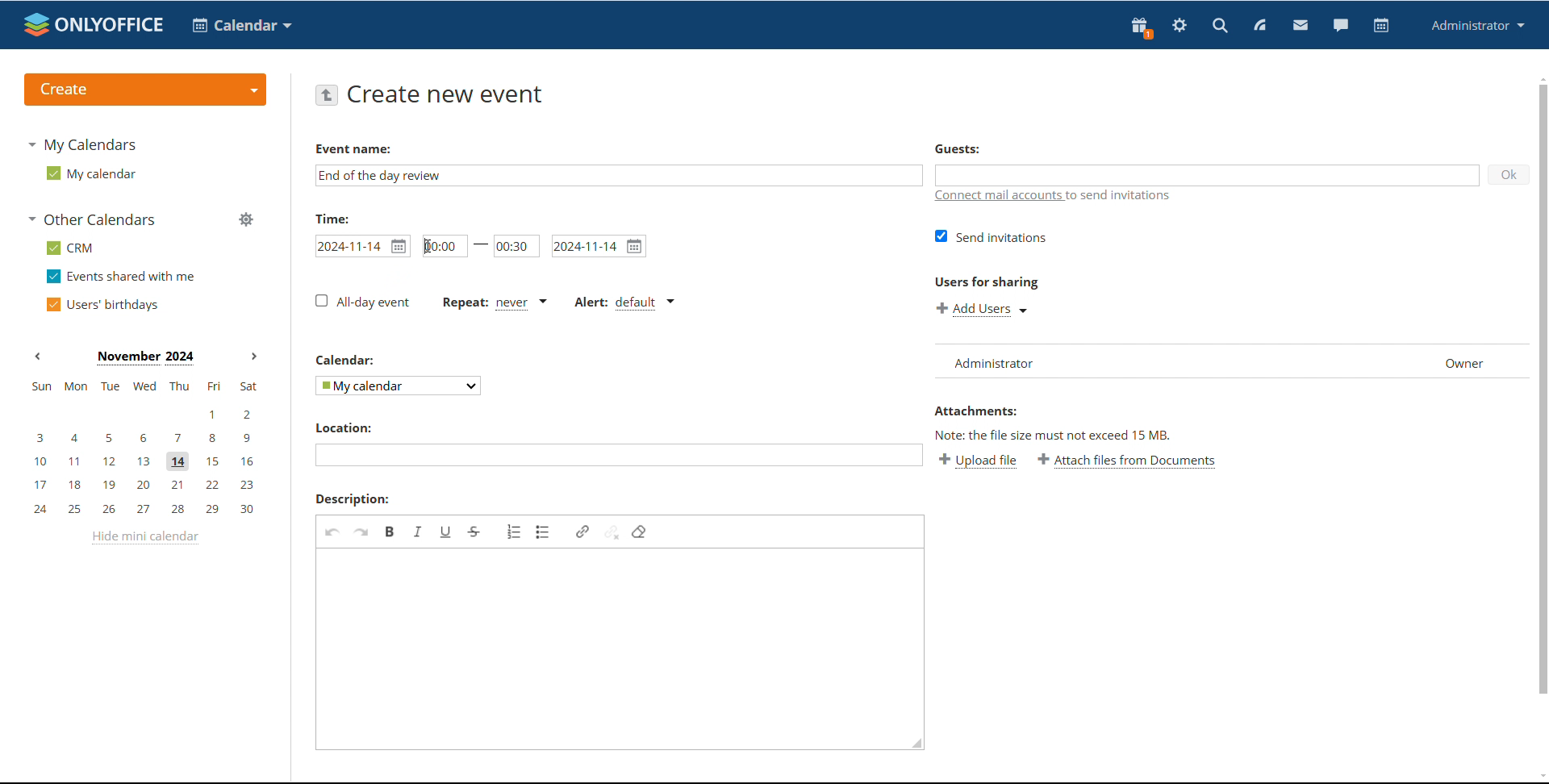  Describe the element at coordinates (1054, 435) in the screenshot. I see `Note: the file size must not exceed 15 mb` at that location.